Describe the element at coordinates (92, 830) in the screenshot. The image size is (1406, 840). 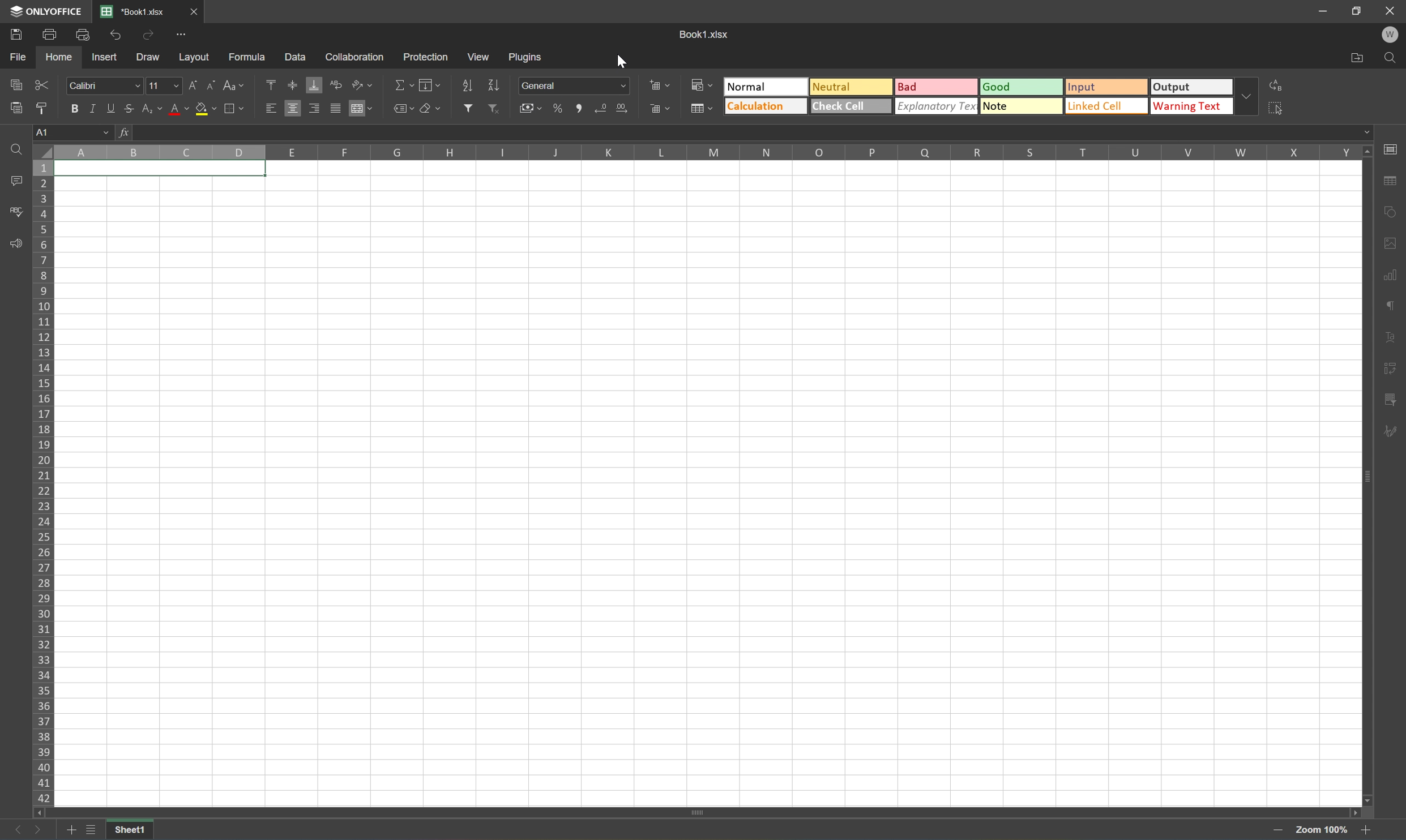
I see `List of sheets` at that location.